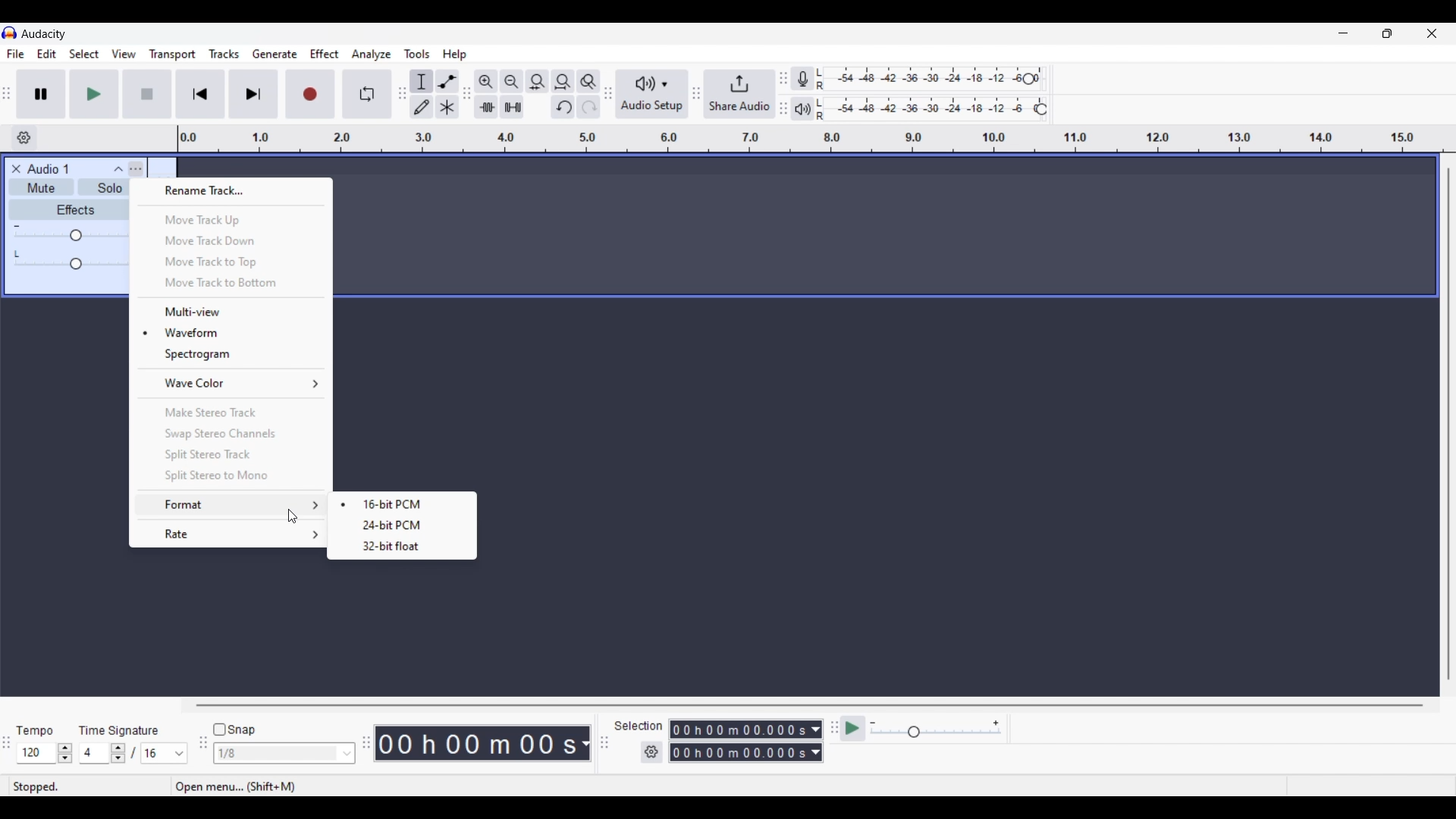 The width and height of the screenshot is (1456, 819). I want to click on Fit selection to width, so click(537, 82).